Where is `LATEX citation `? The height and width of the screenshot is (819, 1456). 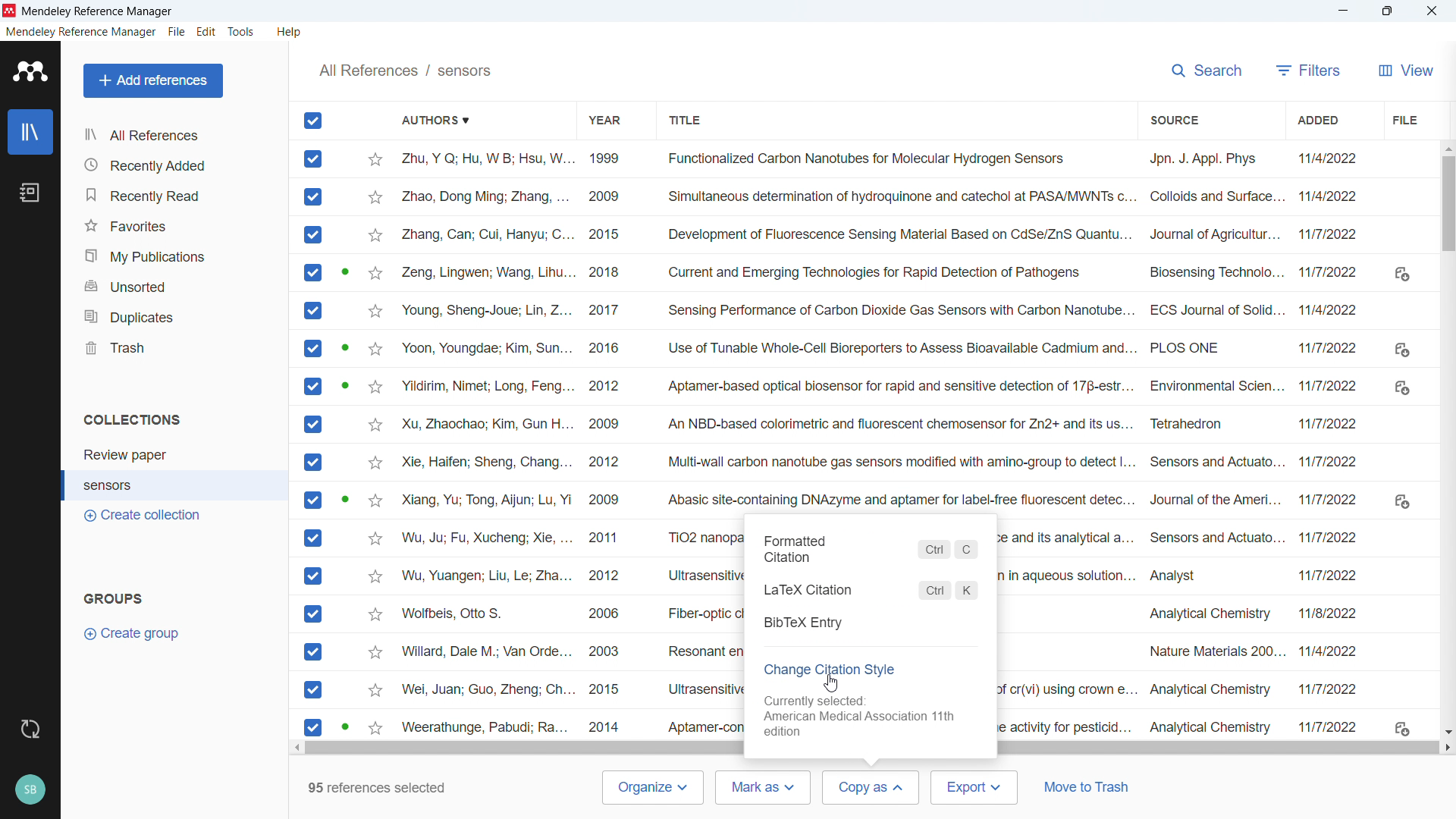
LATEX citation  is located at coordinates (872, 588).